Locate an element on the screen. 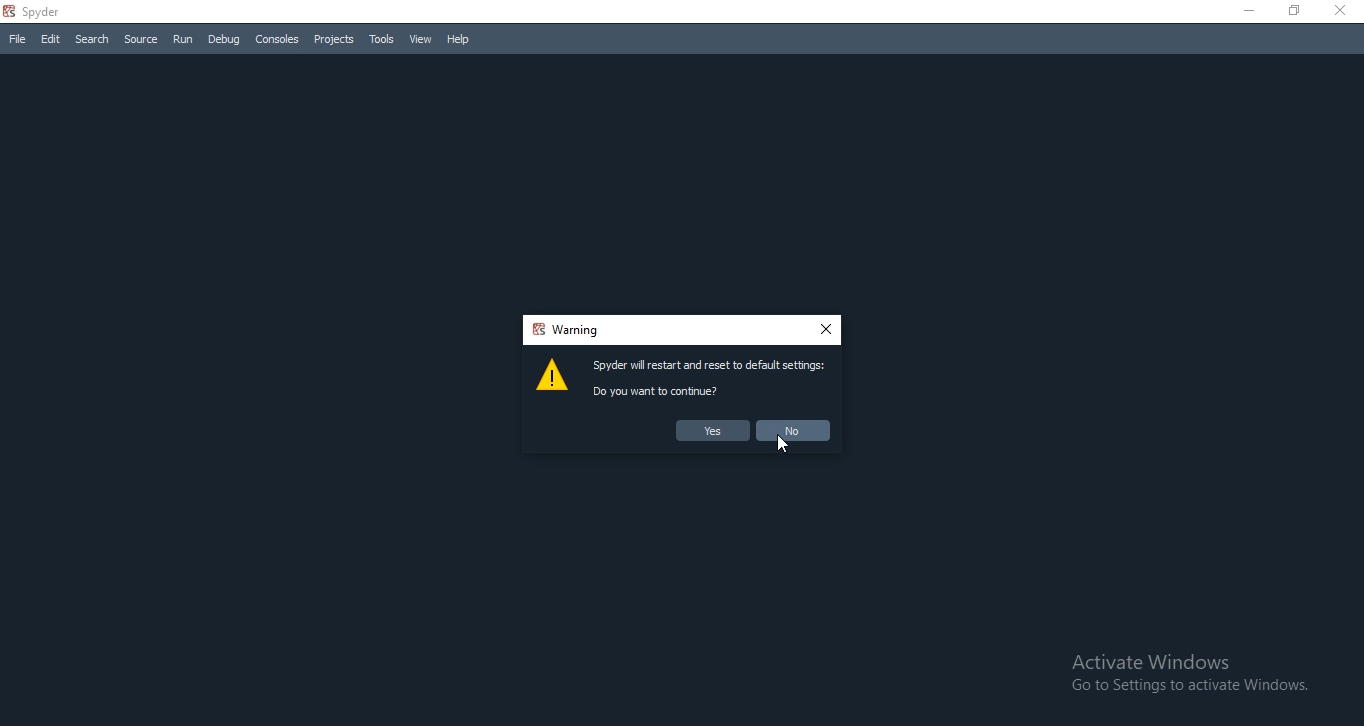 The image size is (1364, 726). close is located at coordinates (824, 332).